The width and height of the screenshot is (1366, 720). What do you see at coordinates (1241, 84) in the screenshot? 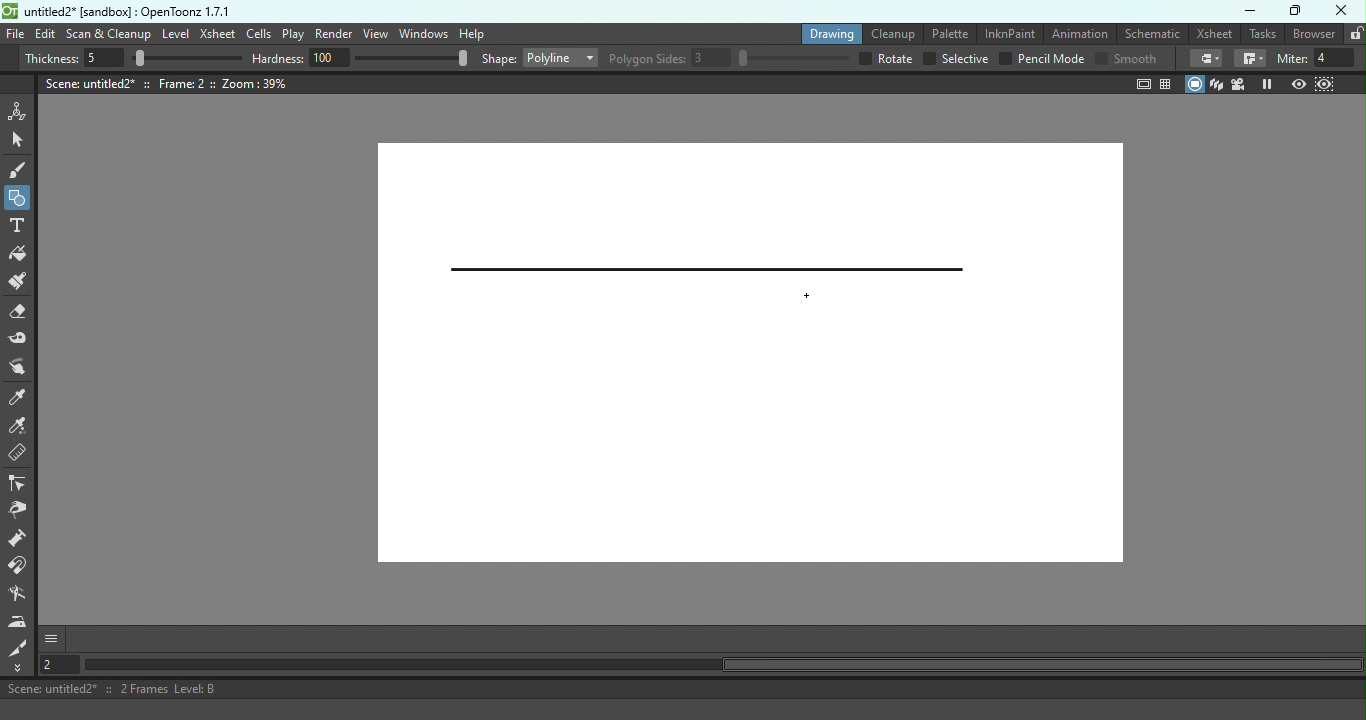
I see `Camera view` at bounding box center [1241, 84].